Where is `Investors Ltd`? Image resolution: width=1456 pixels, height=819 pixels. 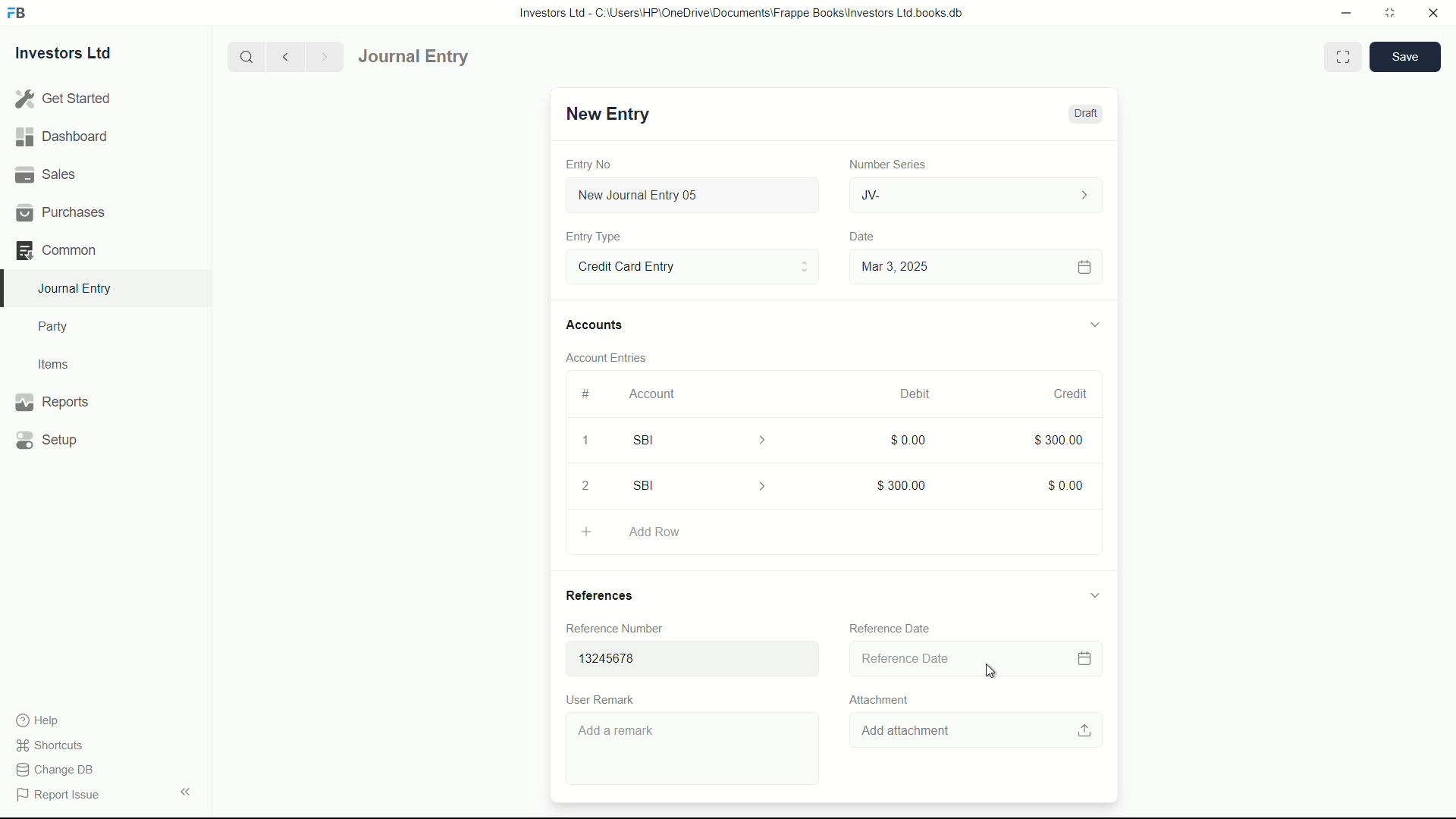 Investors Ltd is located at coordinates (77, 55).